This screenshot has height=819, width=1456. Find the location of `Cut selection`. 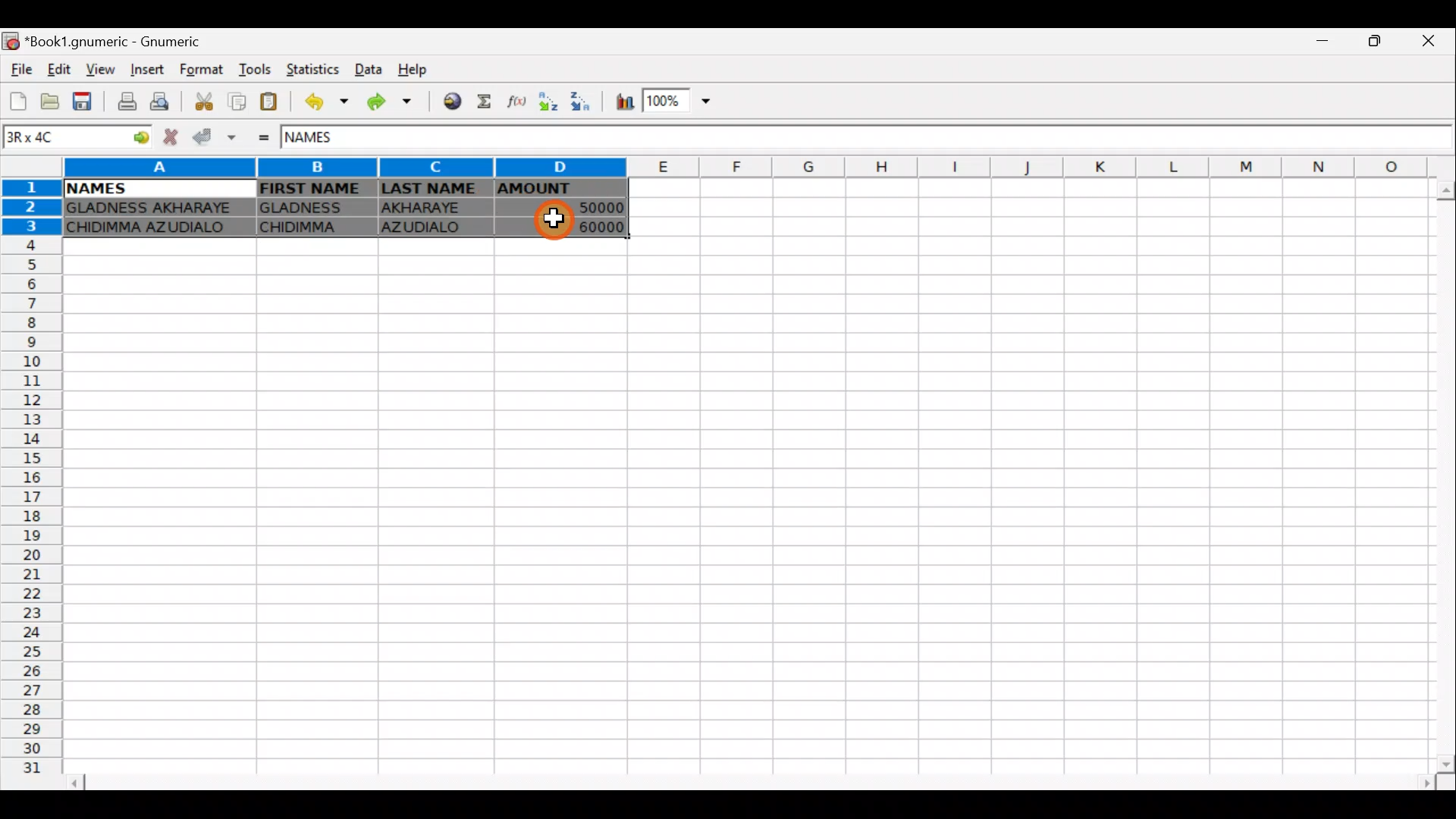

Cut selection is located at coordinates (208, 104).